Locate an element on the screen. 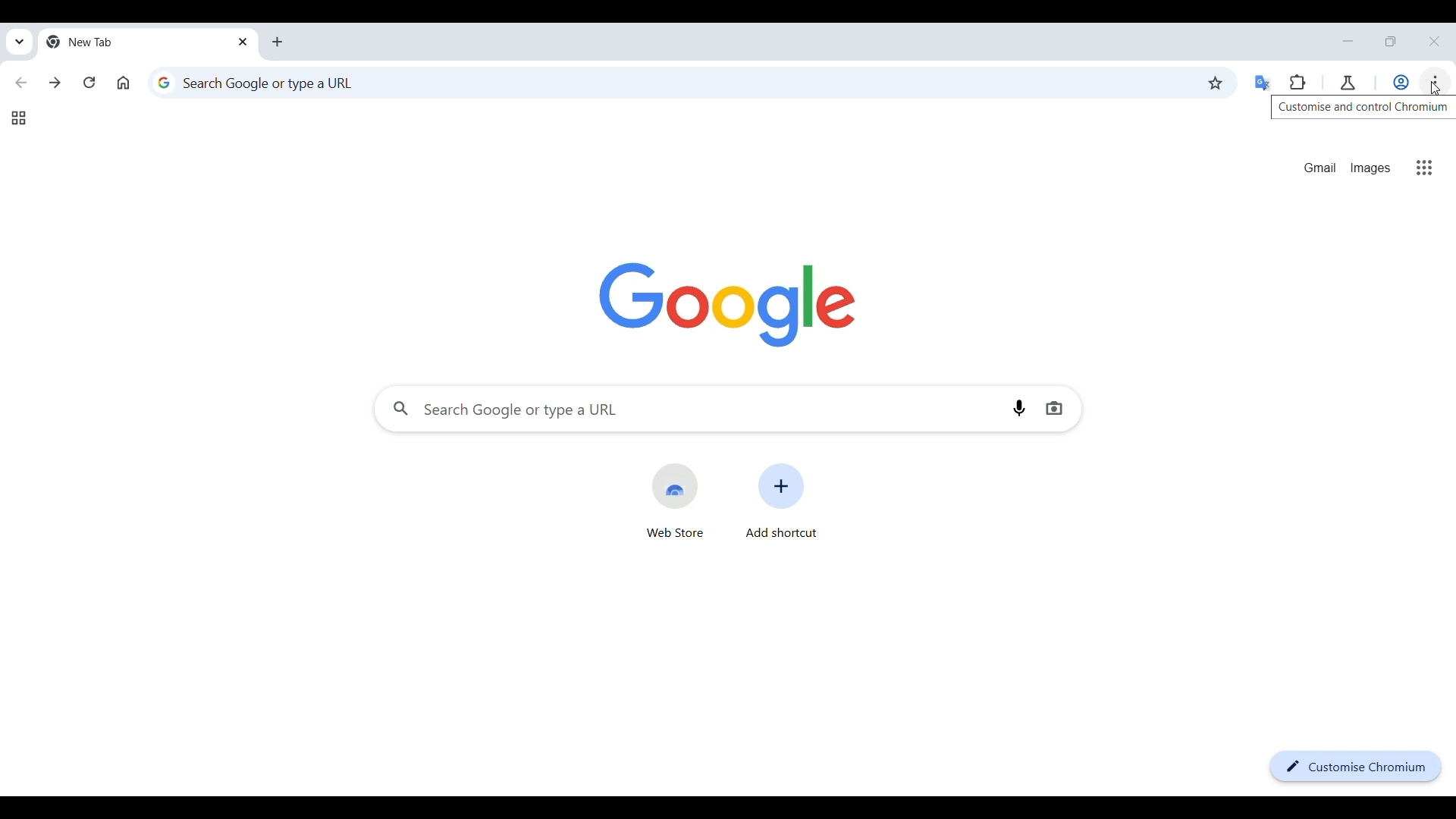 The image size is (1456, 819). Google translator extension is located at coordinates (1264, 83).